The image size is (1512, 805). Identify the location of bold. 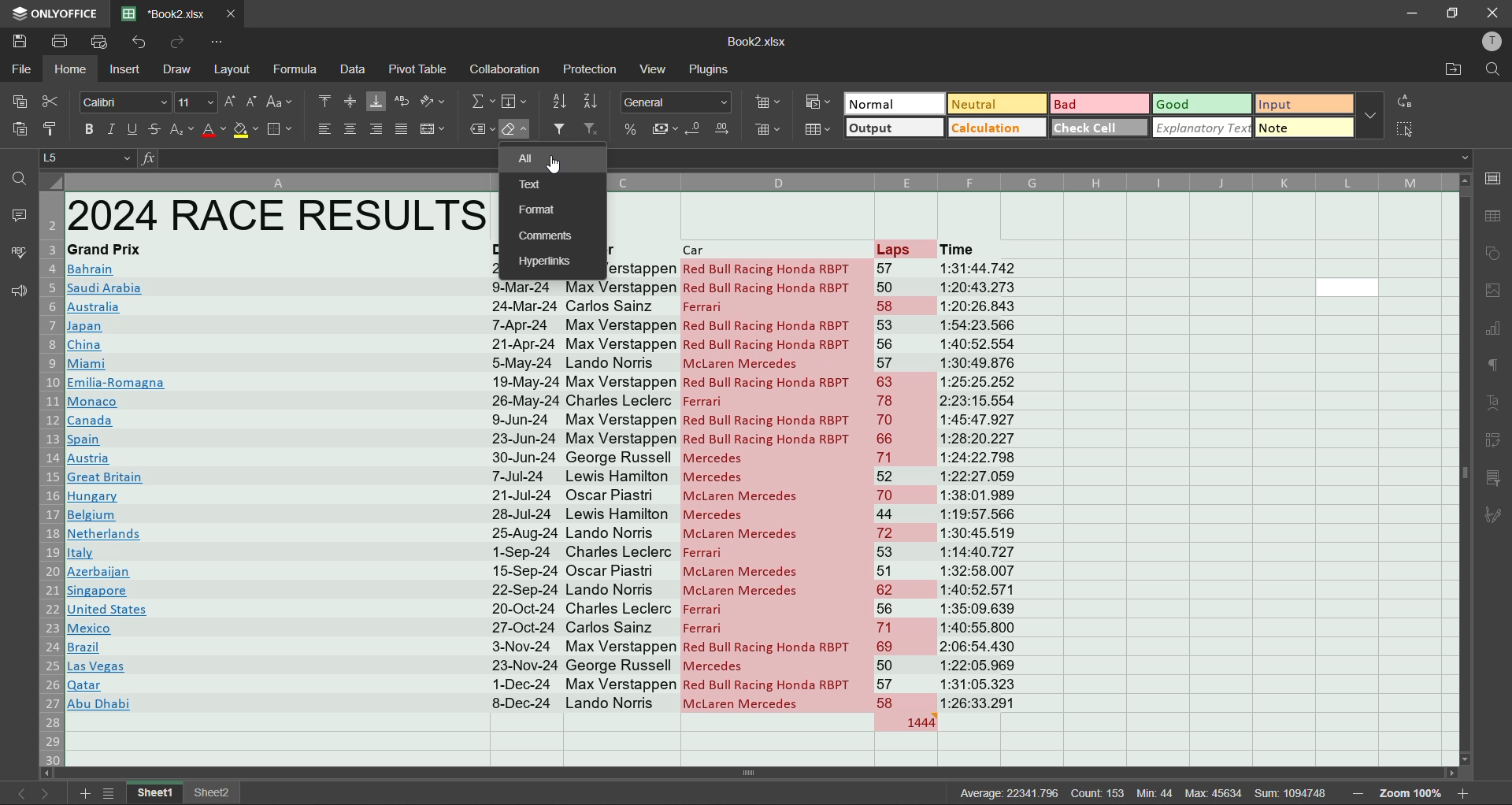
(85, 129).